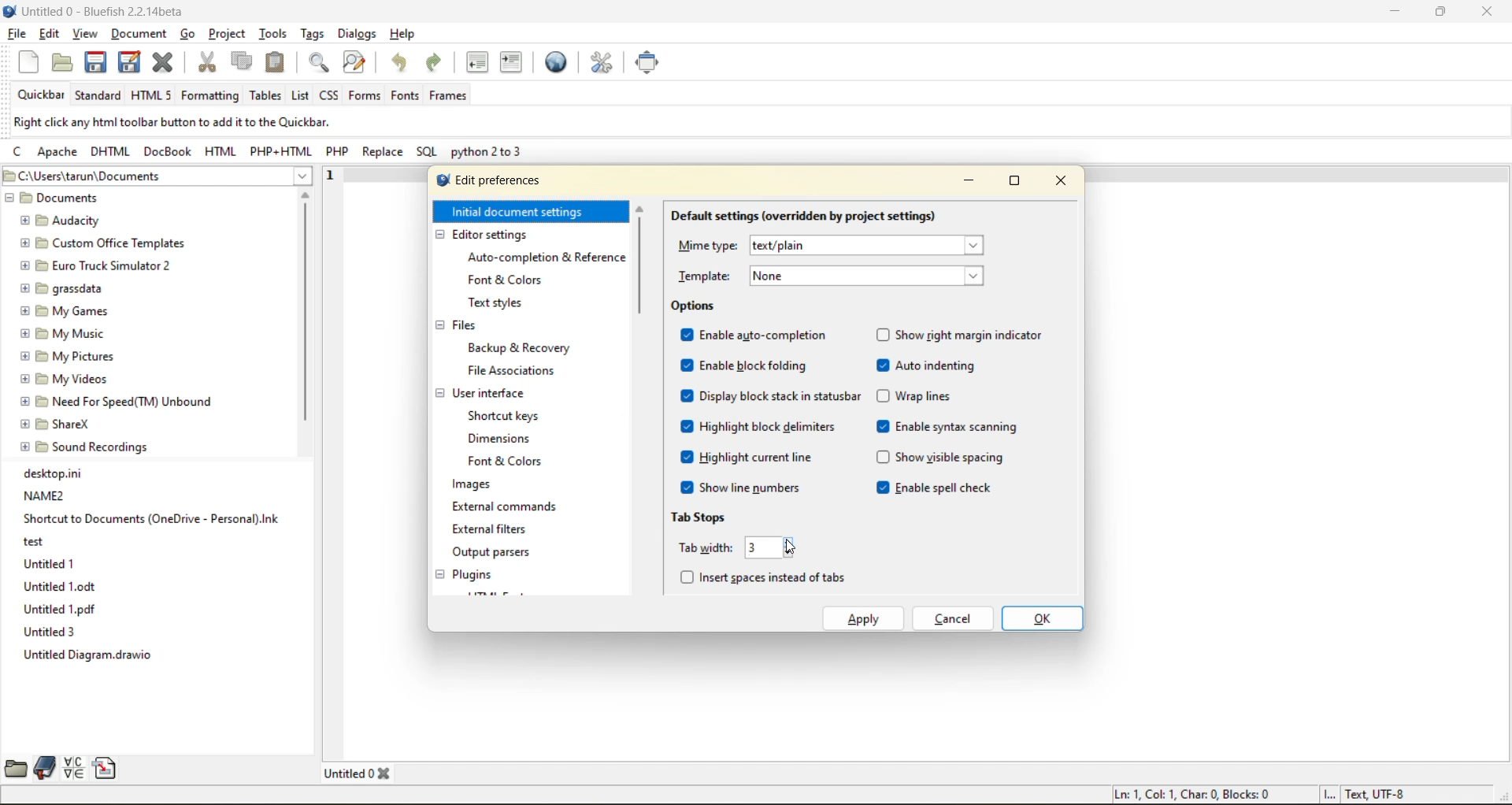 Image resolution: width=1512 pixels, height=805 pixels. Describe the element at coordinates (305, 314) in the screenshot. I see `vertical scroll bar` at that location.